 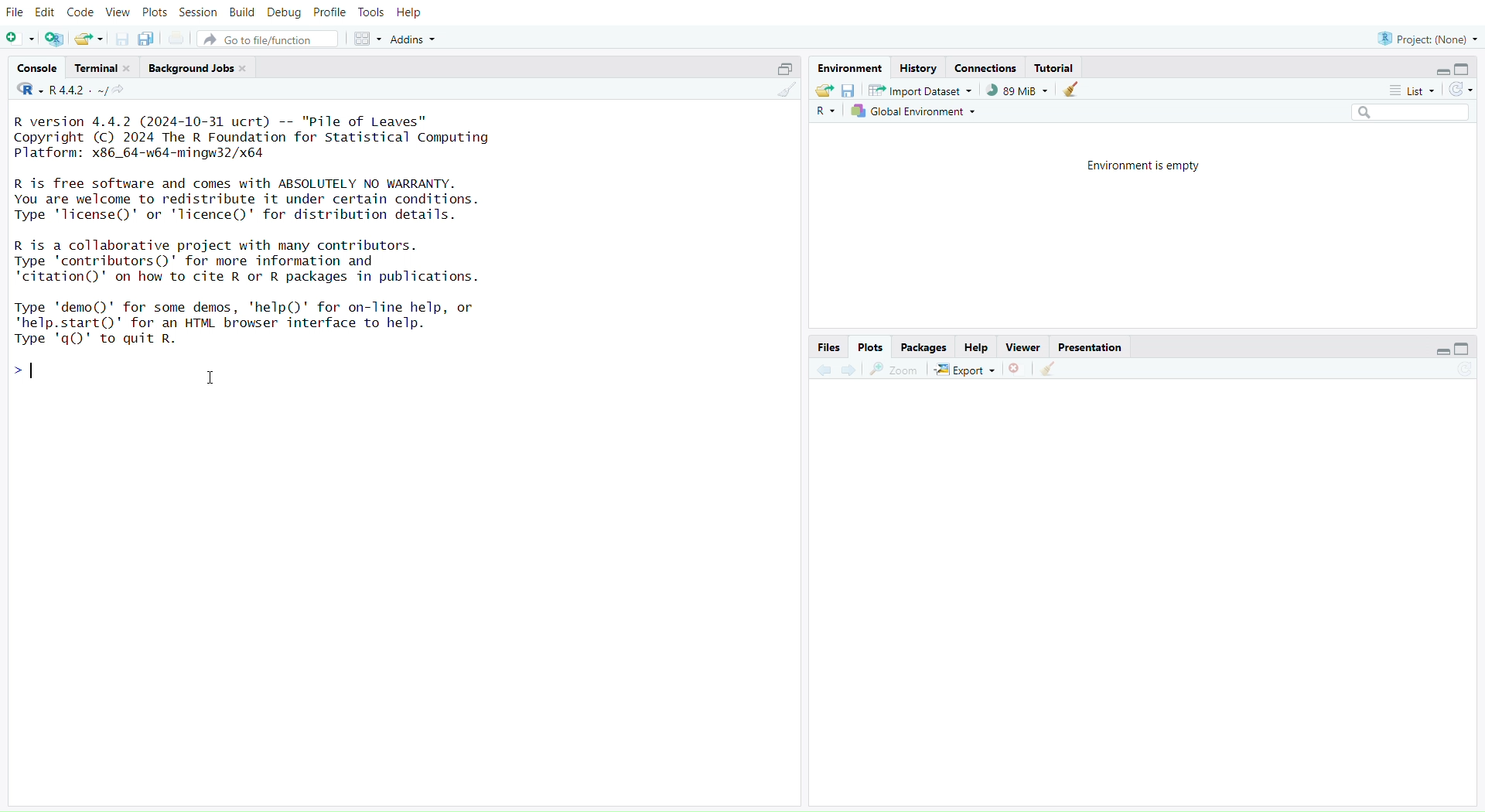 I want to click on Tools, so click(x=375, y=13).